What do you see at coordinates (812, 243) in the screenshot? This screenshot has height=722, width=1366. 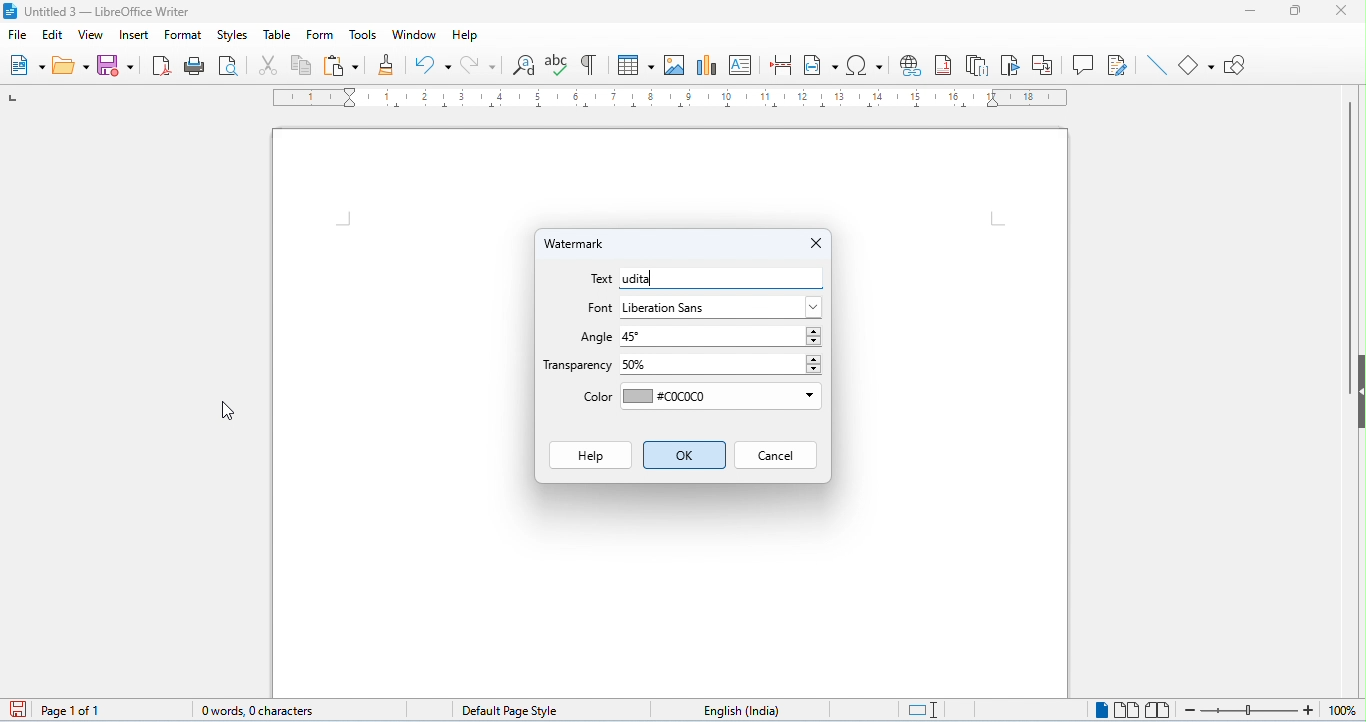 I see `close` at bounding box center [812, 243].